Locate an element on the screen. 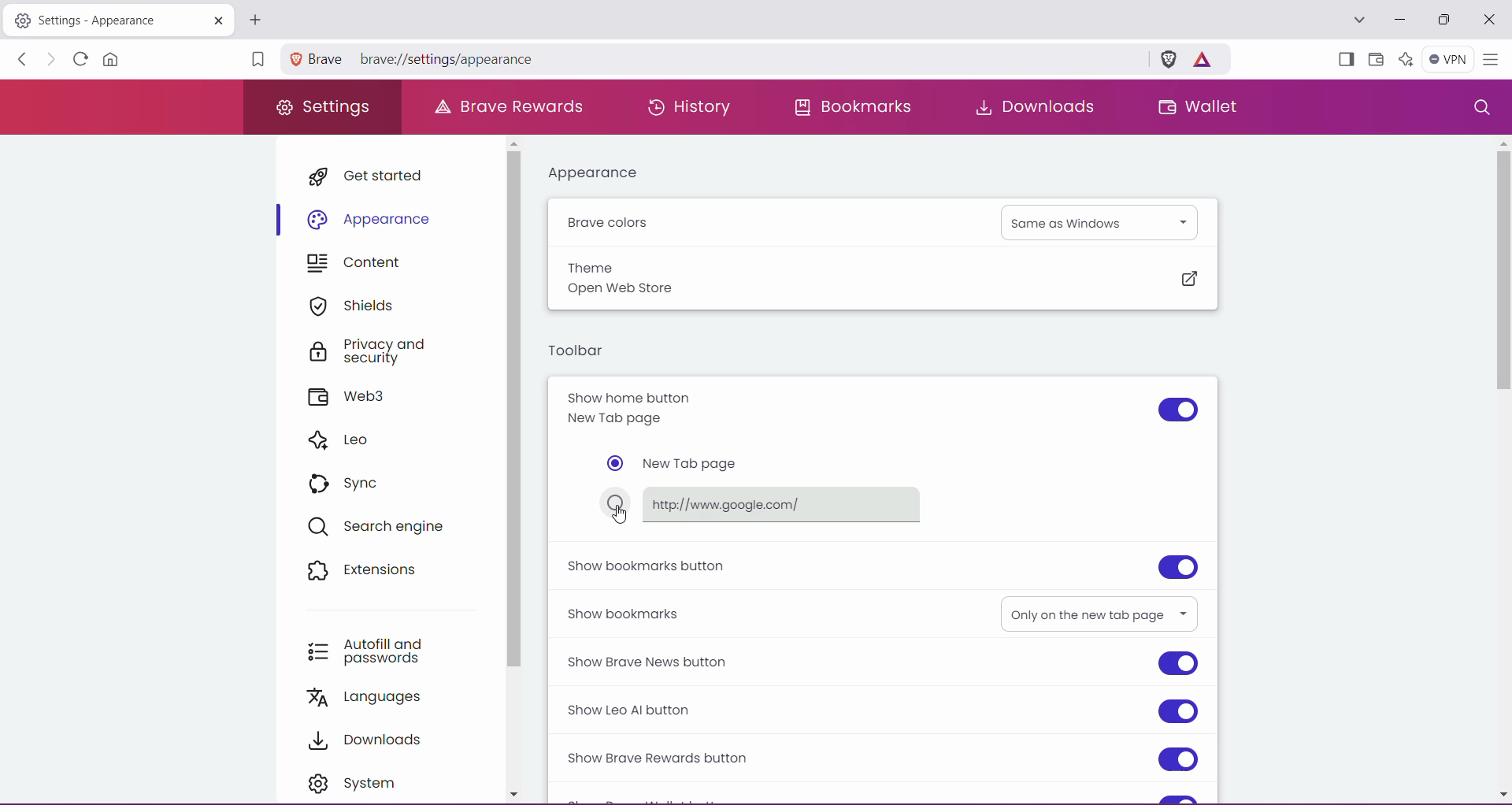  Maximize is located at coordinates (1443, 21).